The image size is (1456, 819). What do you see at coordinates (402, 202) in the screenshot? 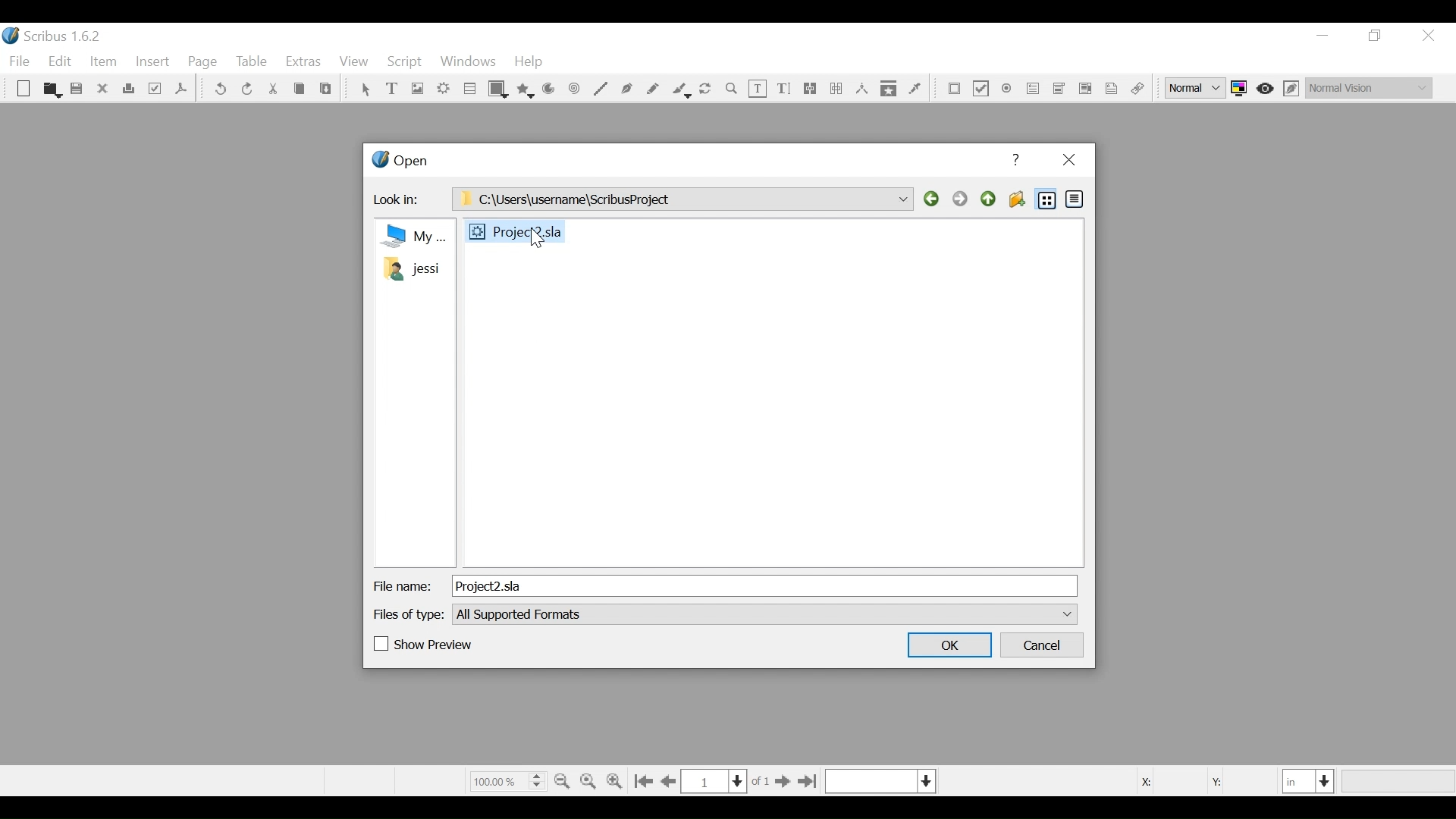
I see `Look in` at bounding box center [402, 202].